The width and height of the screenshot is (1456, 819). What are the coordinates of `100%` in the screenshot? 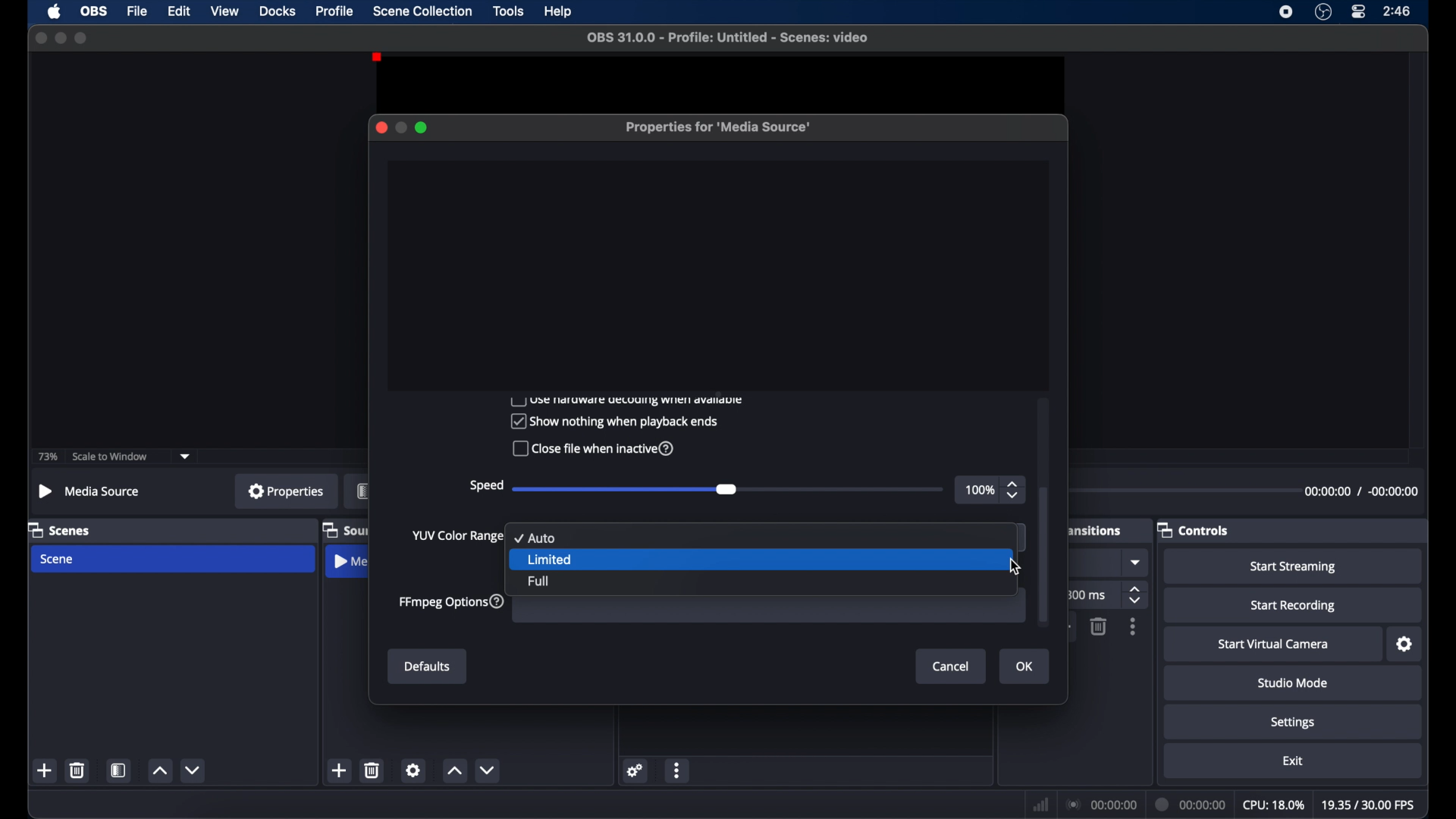 It's located at (978, 488).